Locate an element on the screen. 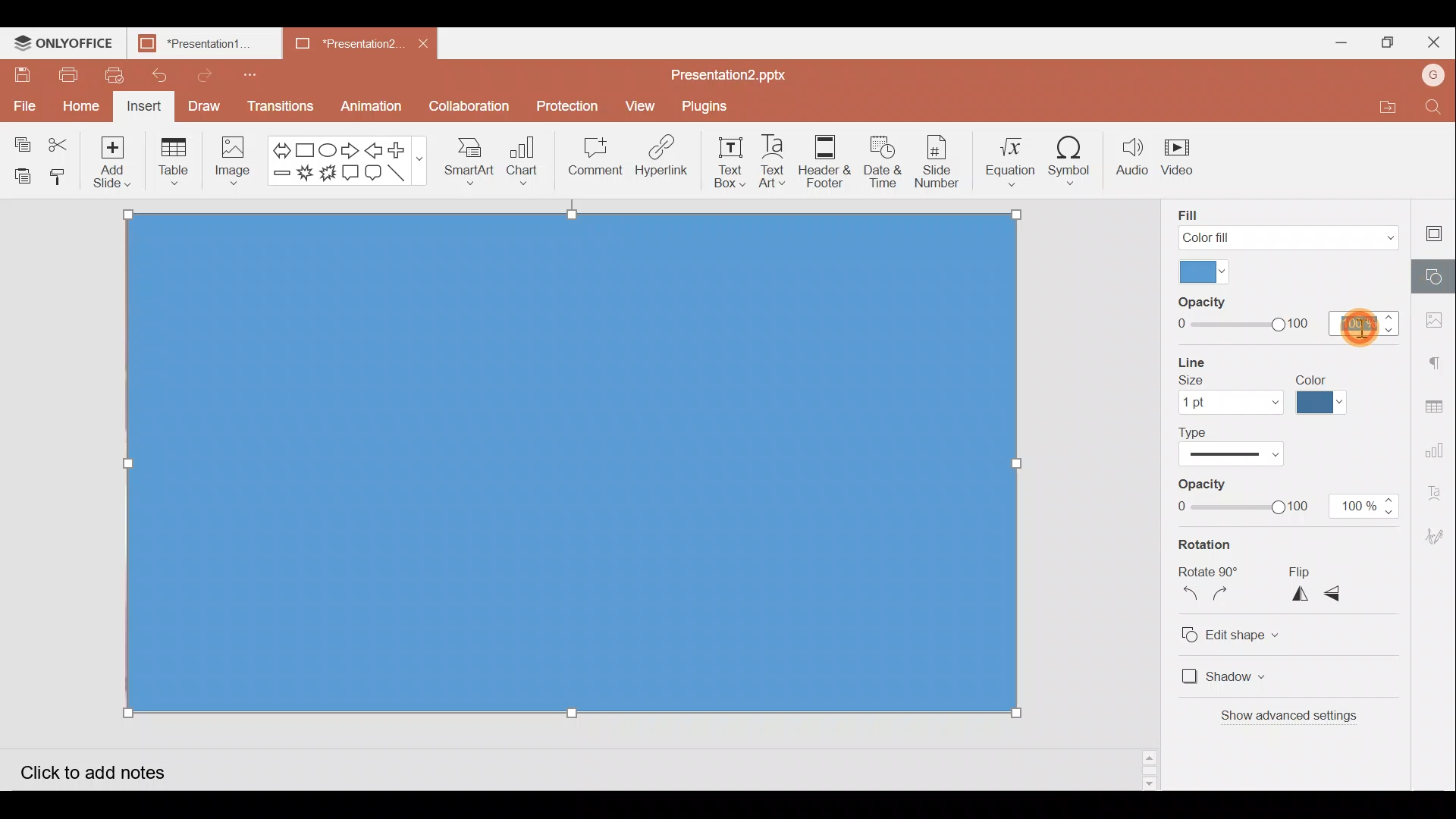 This screenshot has width=1456, height=819. View is located at coordinates (638, 106).